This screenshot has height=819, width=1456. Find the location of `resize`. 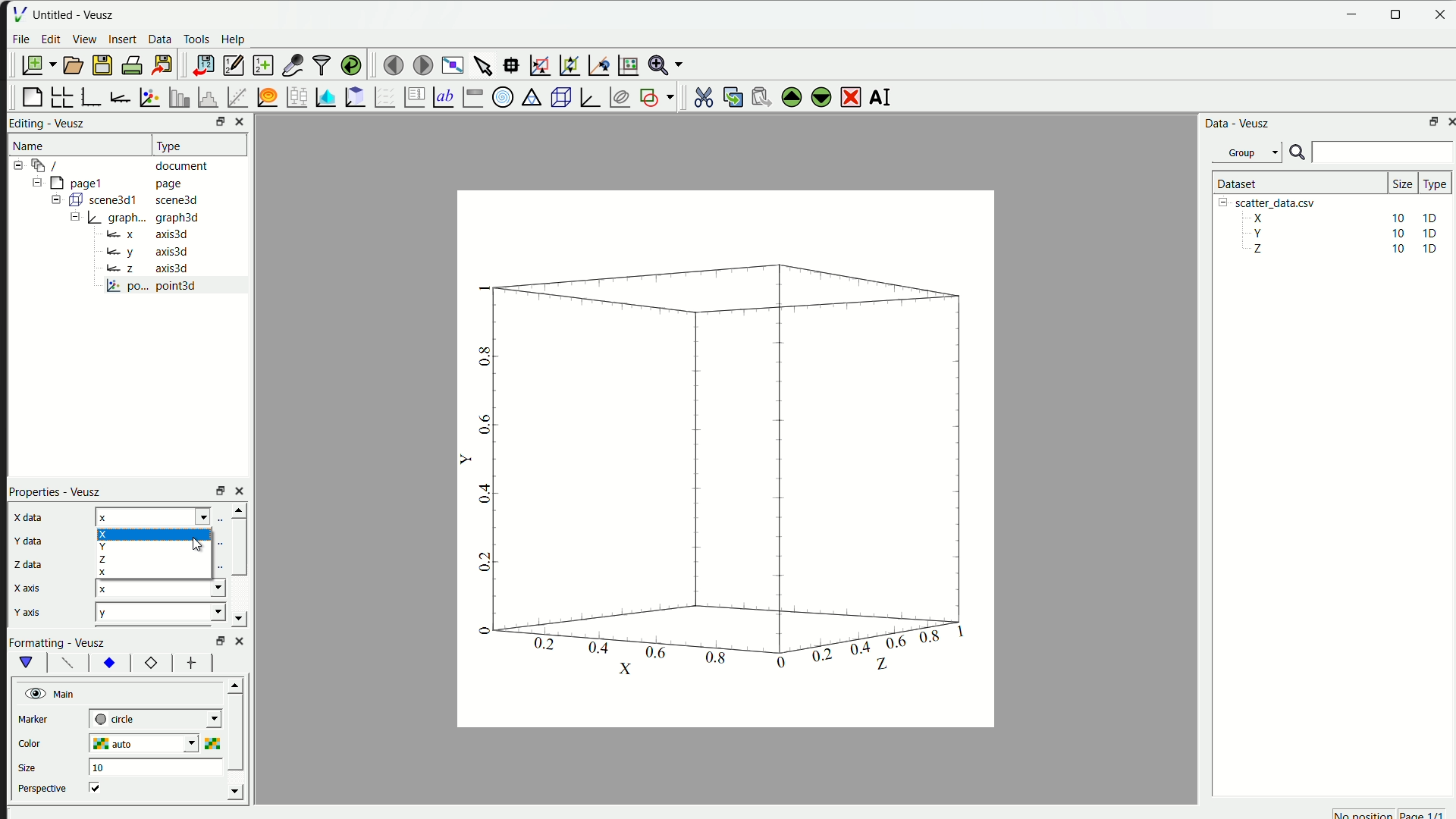

resize is located at coordinates (1397, 14).